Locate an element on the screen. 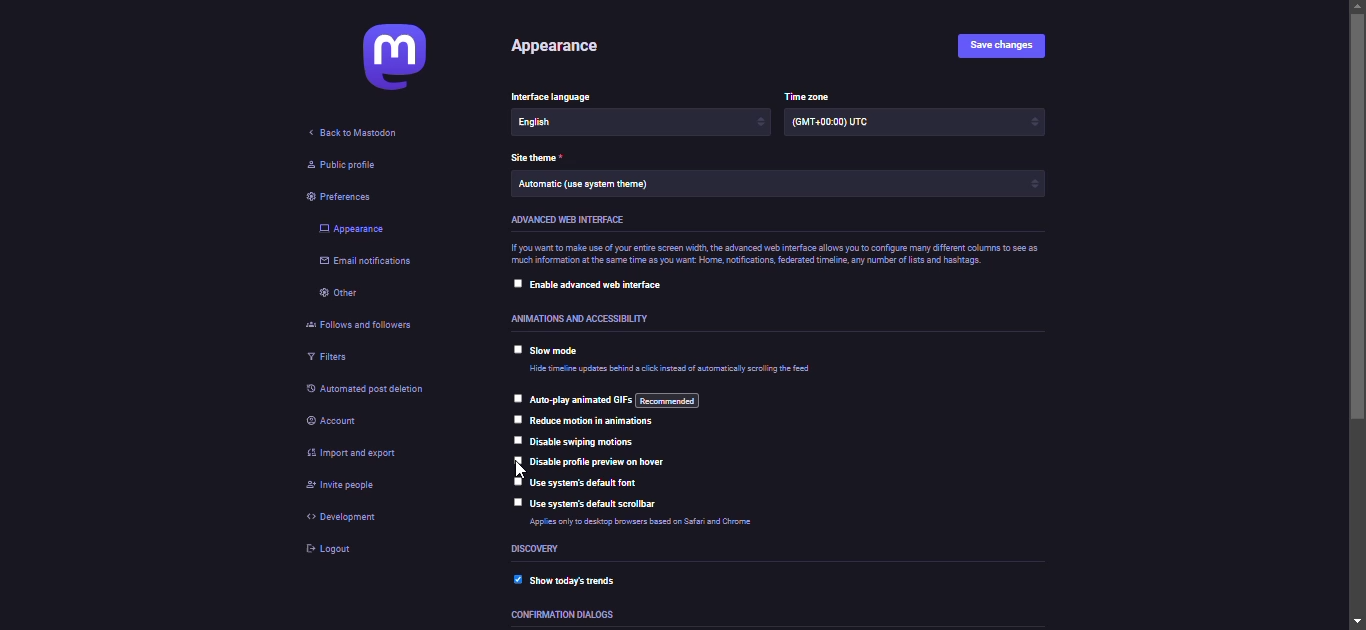 The height and width of the screenshot is (630, 1366). preferences is located at coordinates (345, 195).